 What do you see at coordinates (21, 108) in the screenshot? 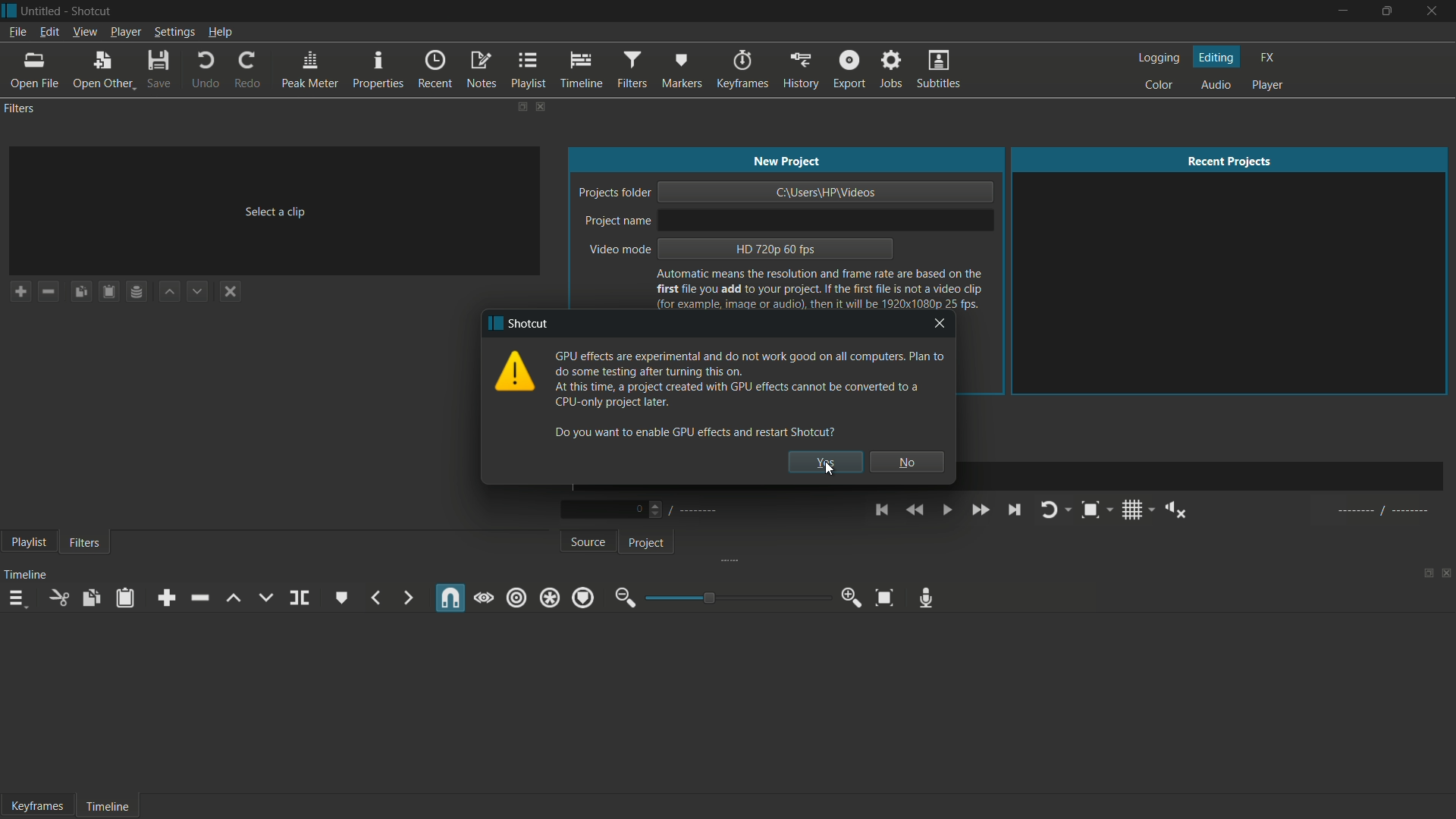
I see `filters` at bounding box center [21, 108].